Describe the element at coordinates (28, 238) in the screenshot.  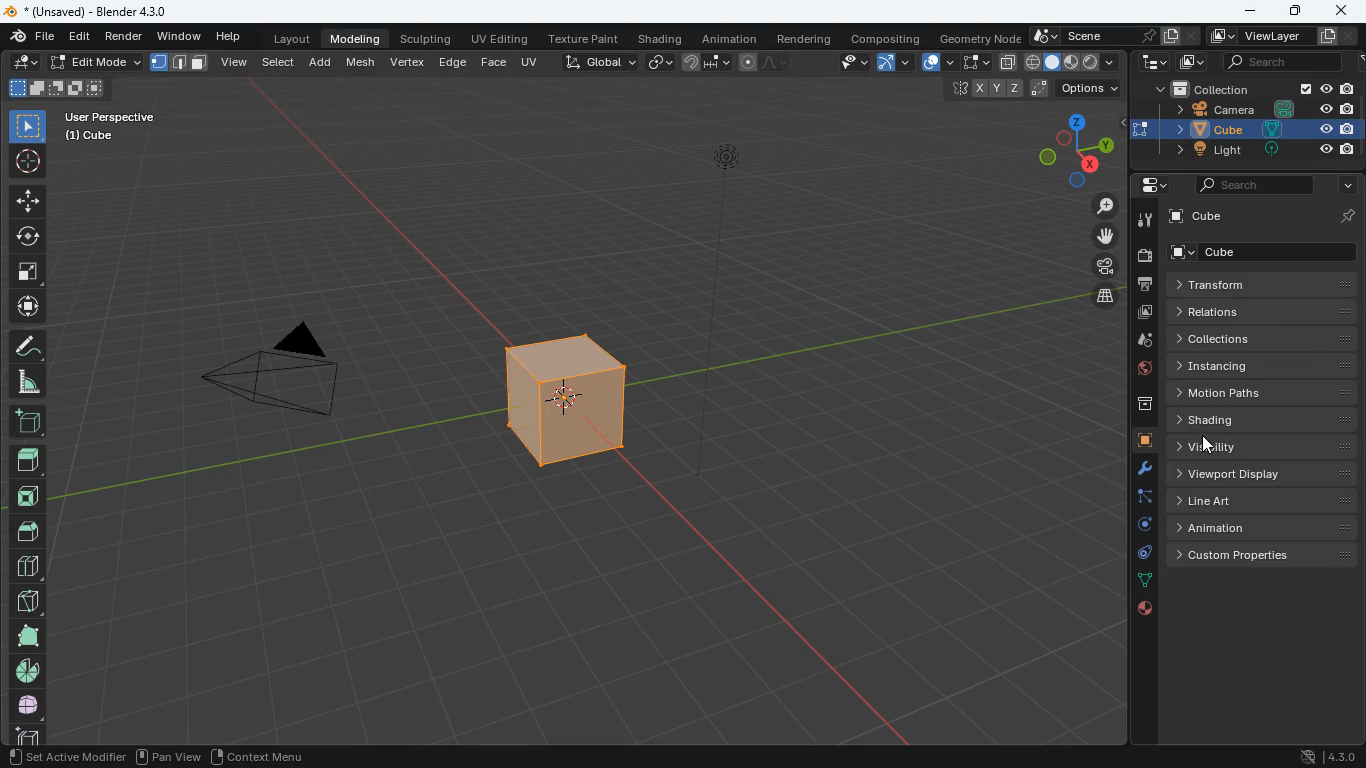
I see `rotate` at that location.